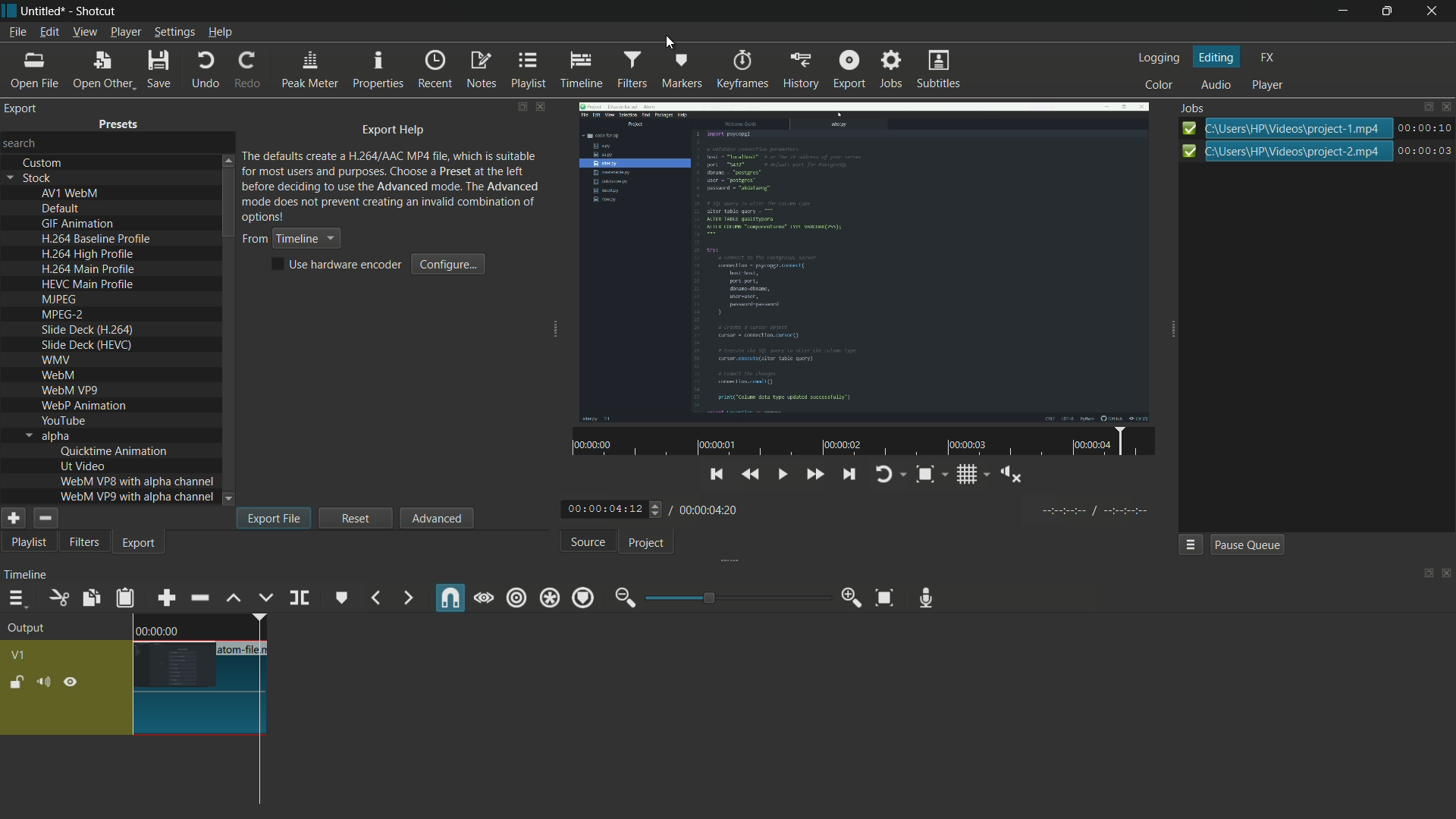 The height and width of the screenshot is (819, 1456). Describe the element at coordinates (9, 10) in the screenshot. I see `app icon` at that location.